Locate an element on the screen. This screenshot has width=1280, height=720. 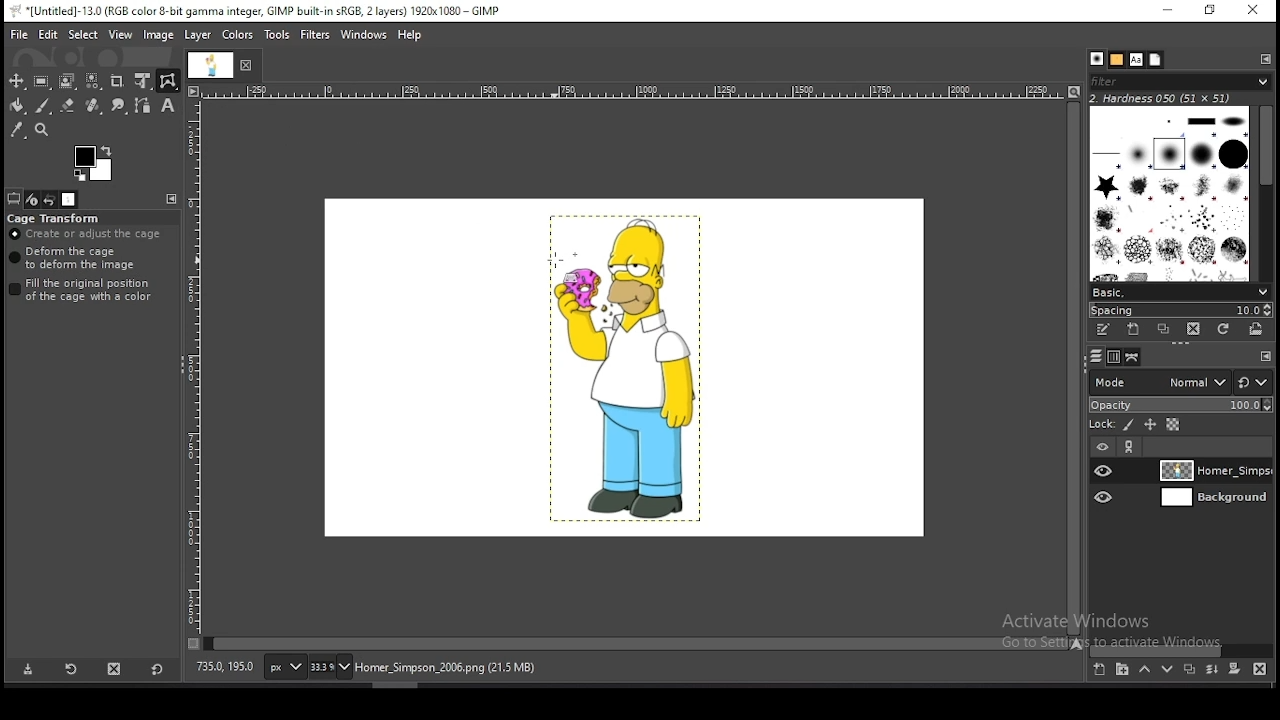
delete brush is located at coordinates (1195, 330).